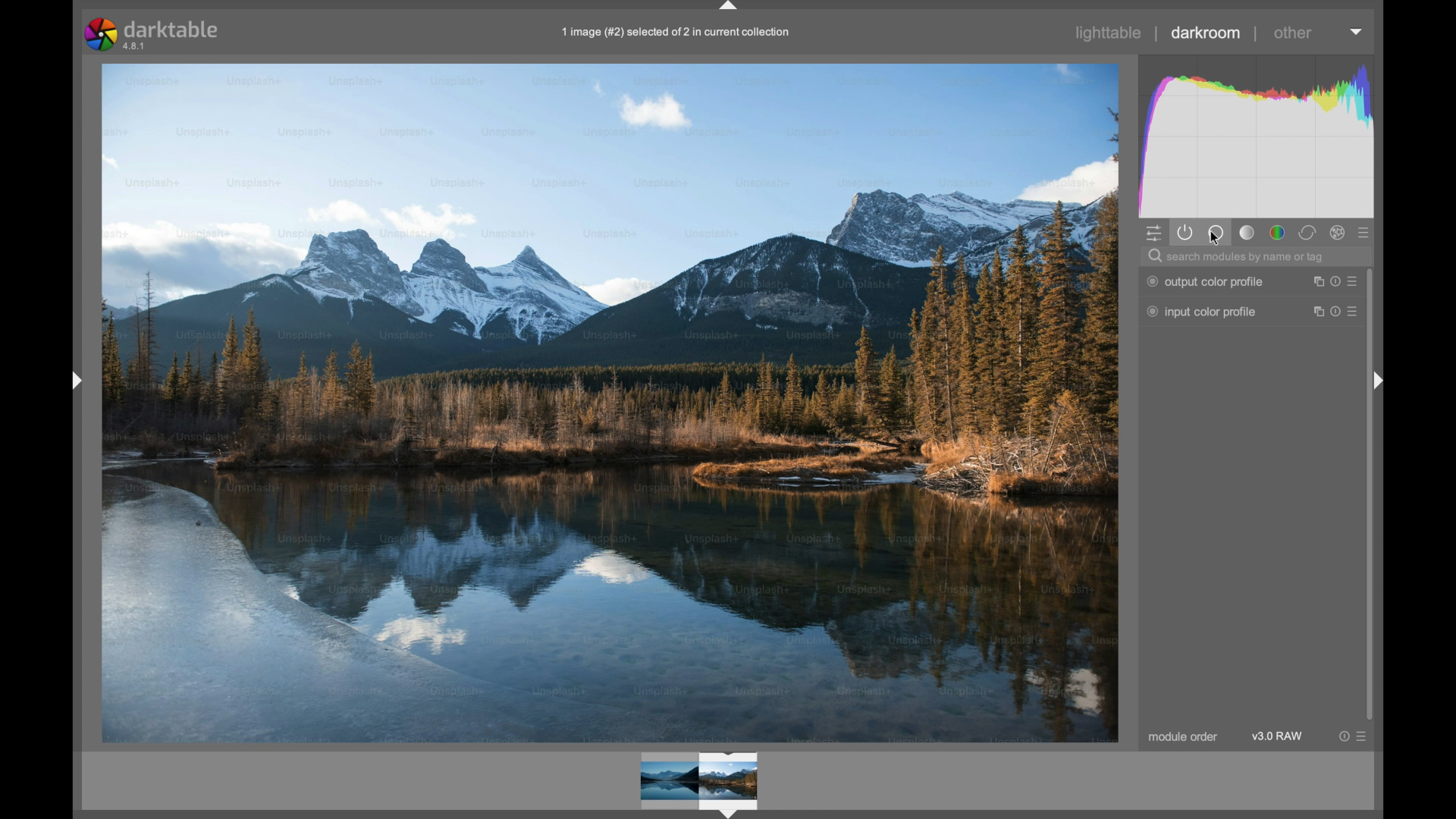  Describe the element at coordinates (1256, 135) in the screenshot. I see `histogram` at that location.